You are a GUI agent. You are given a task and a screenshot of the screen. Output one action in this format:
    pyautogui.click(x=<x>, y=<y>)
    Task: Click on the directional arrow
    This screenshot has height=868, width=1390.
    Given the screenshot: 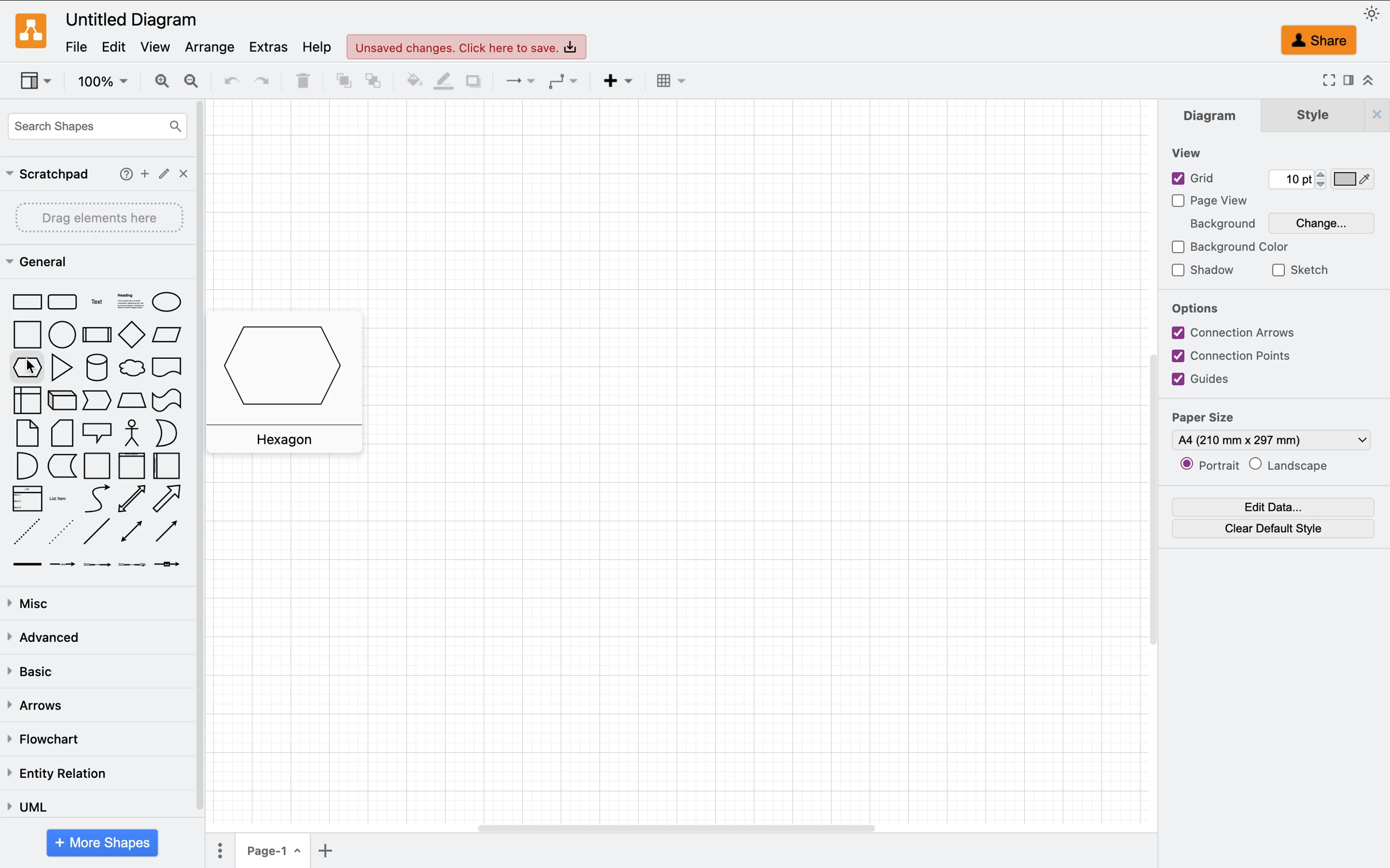 What is the action you would take?
    pyautogui.click(x=167, y=499)
    